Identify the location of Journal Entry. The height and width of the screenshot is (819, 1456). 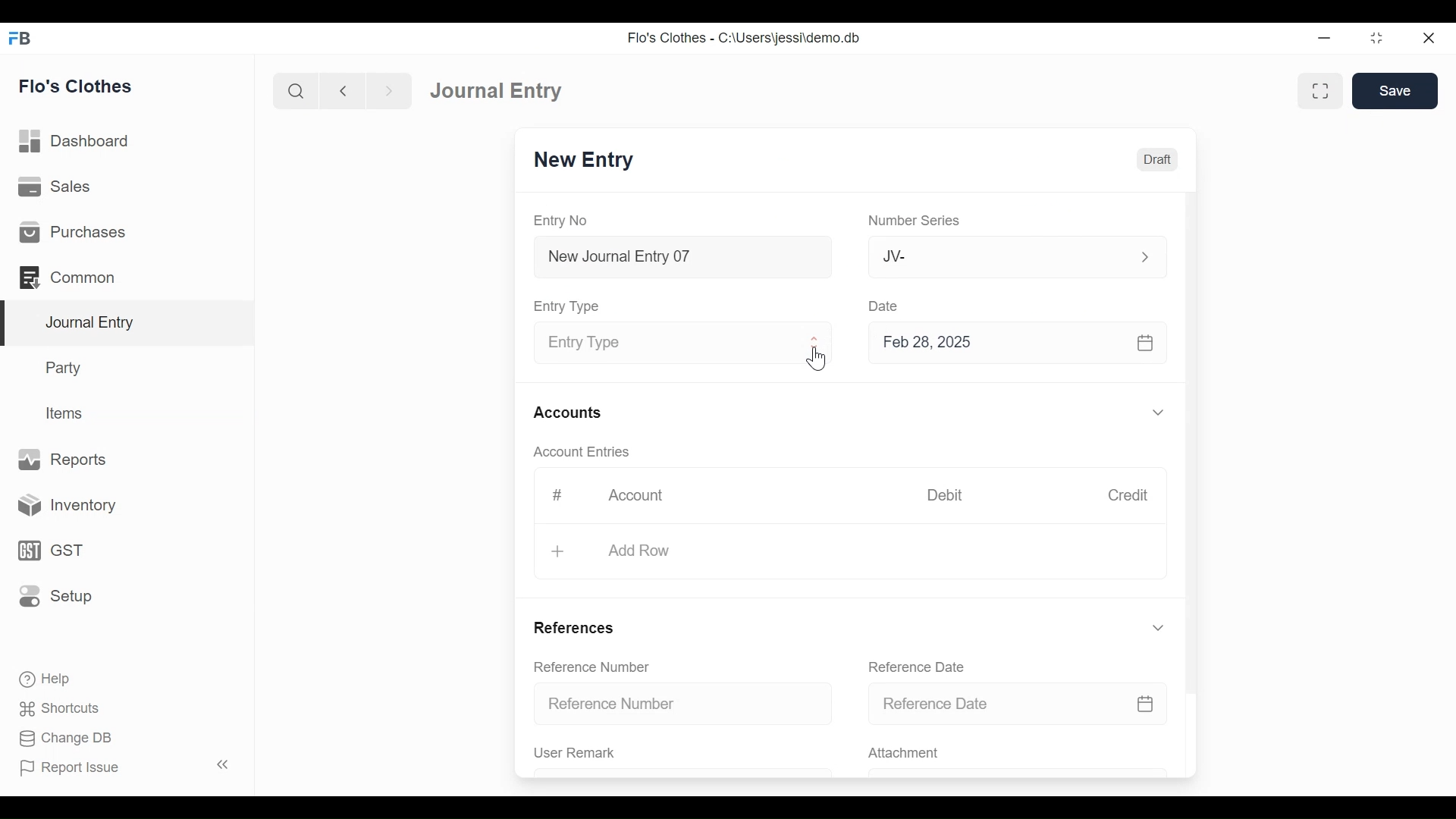
(130, 324).